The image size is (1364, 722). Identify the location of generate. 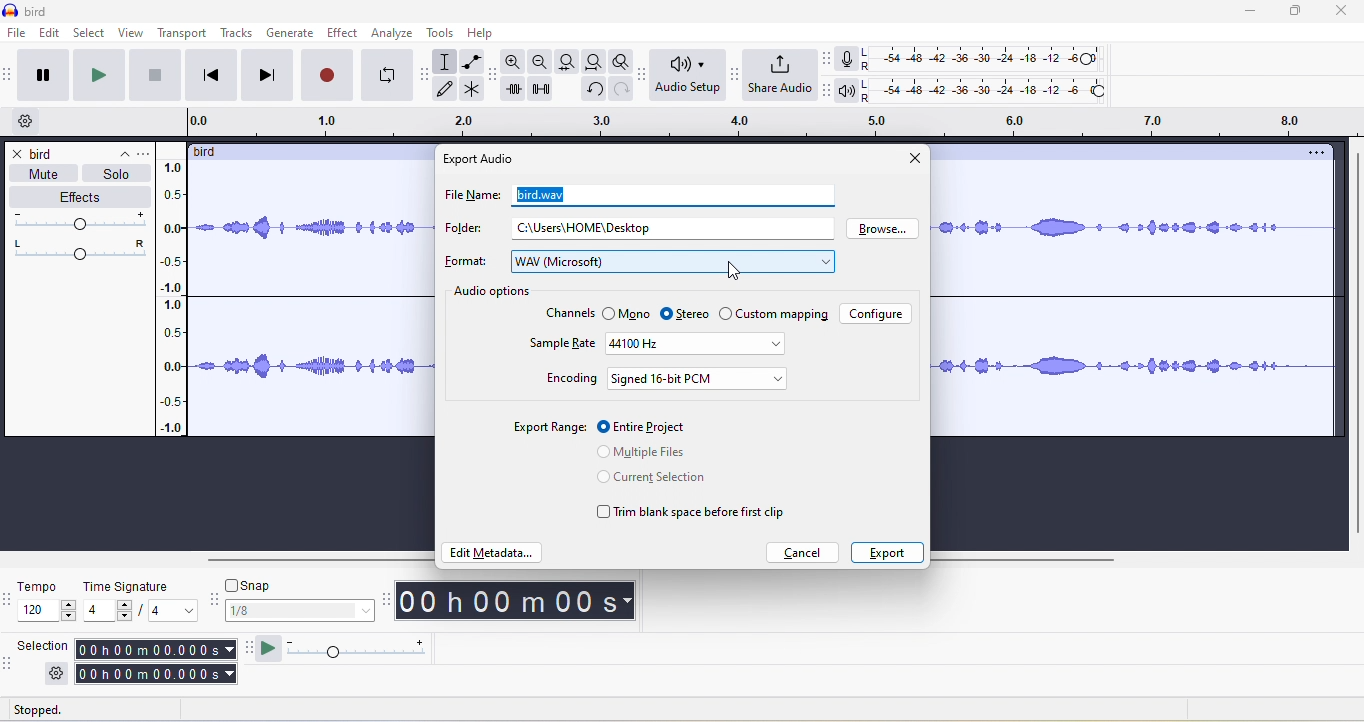
(291, 33).